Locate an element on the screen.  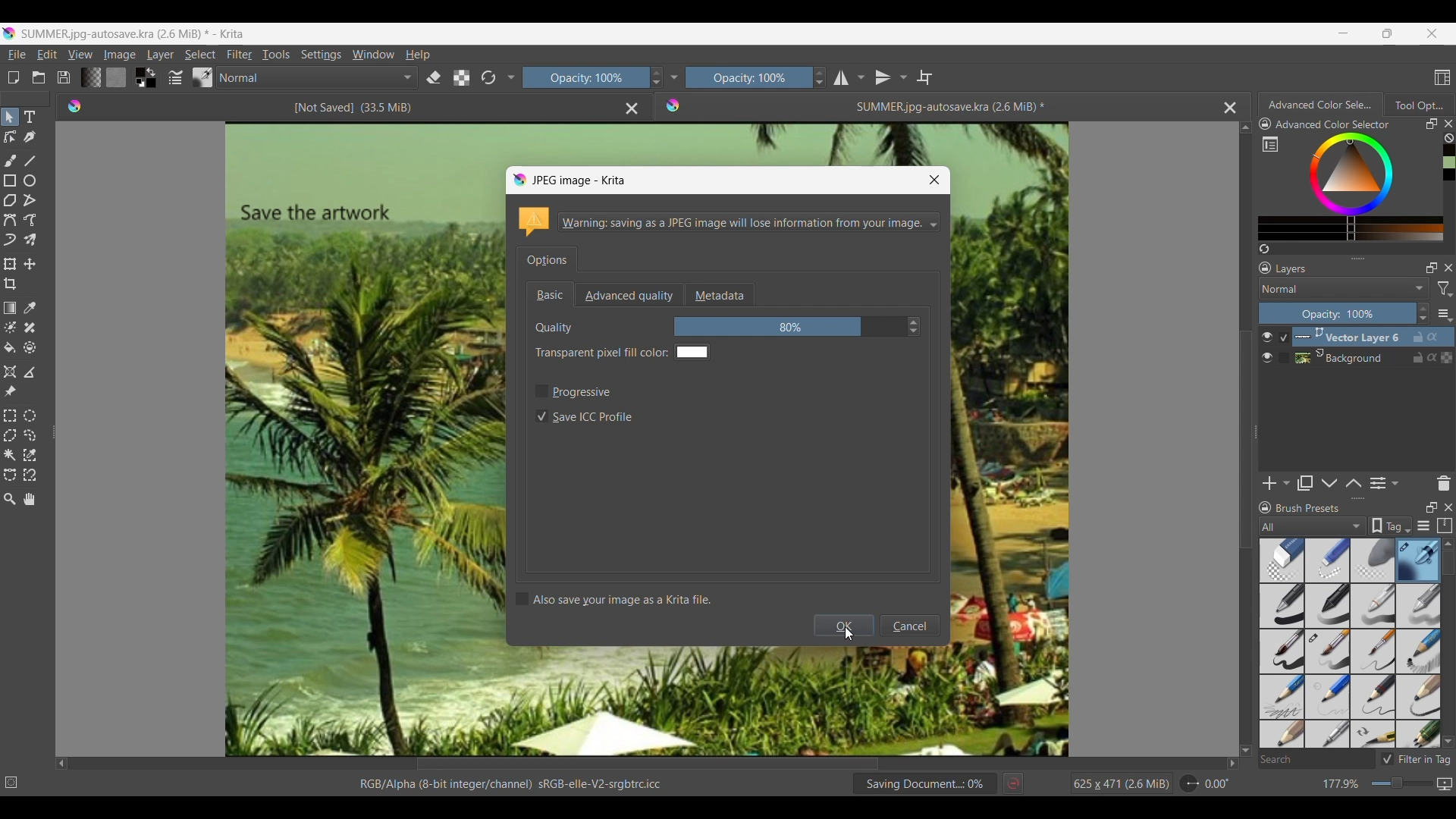
Dial to change rotation is located at coordinates (1190, 784).